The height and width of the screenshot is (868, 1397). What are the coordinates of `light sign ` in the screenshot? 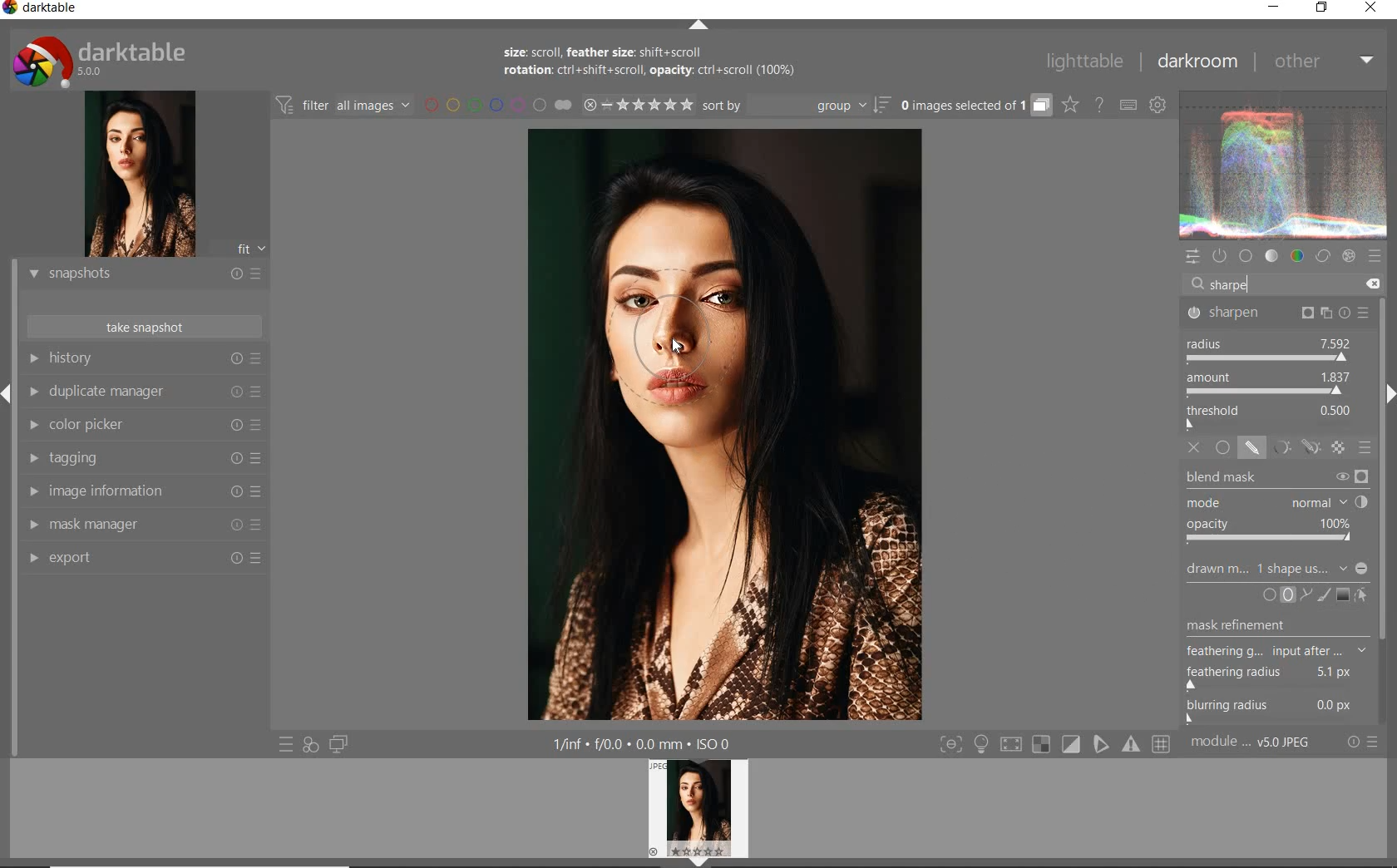 It's located at (983, 745).